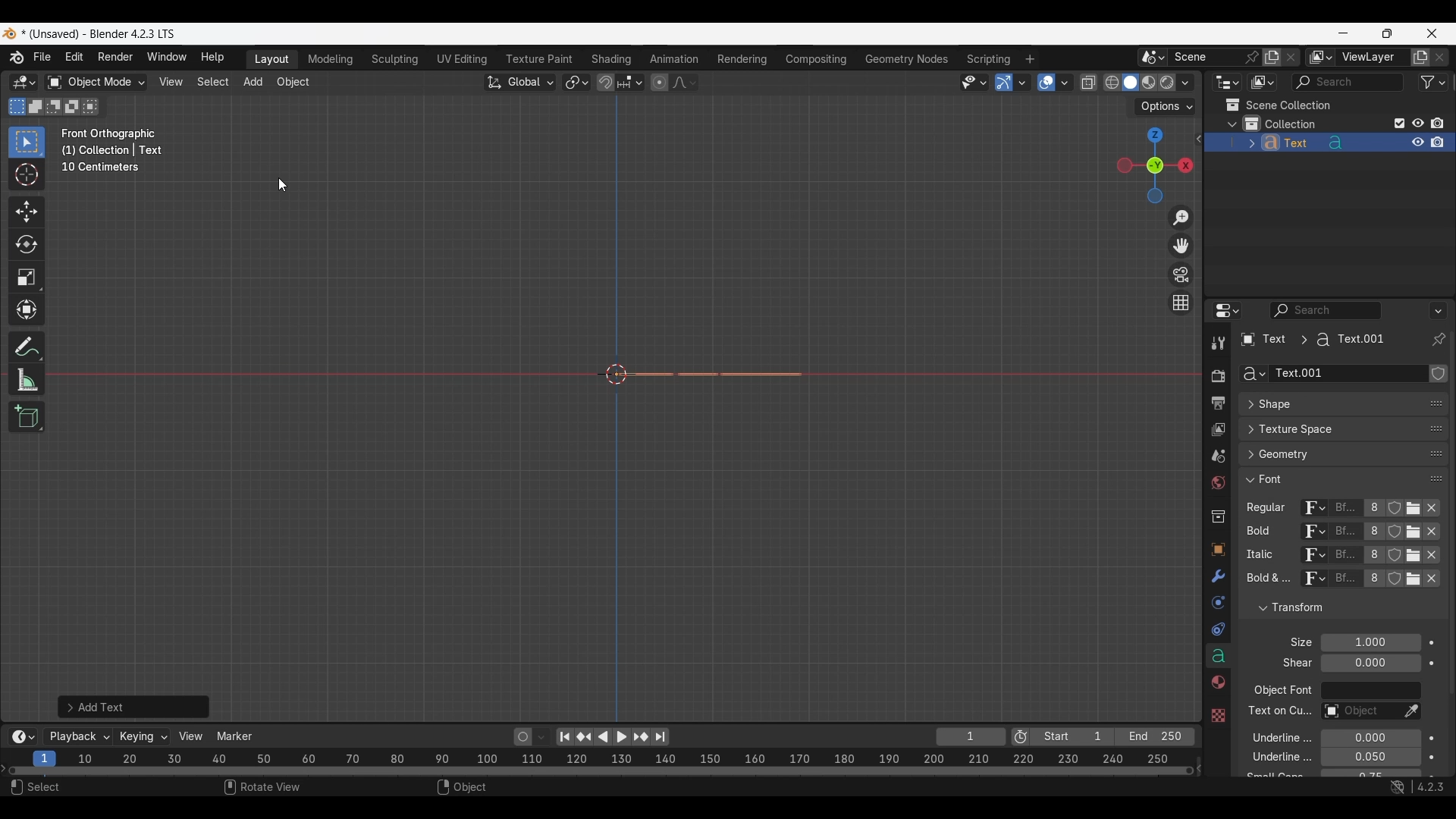  I want to click on Toggle camera view, so click(1181, 274).